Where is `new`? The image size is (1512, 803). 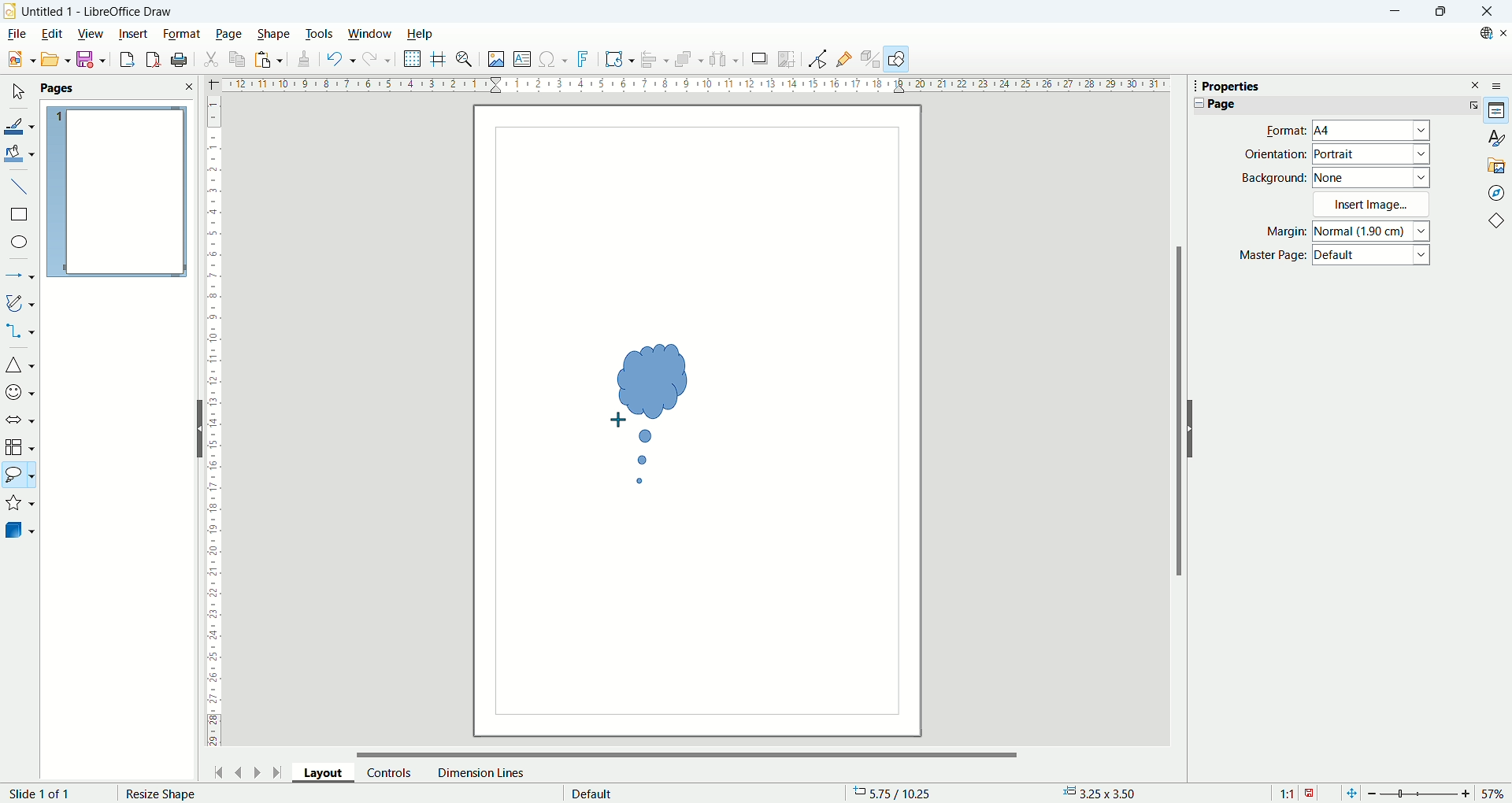 new is located at coordinates (18, 60).